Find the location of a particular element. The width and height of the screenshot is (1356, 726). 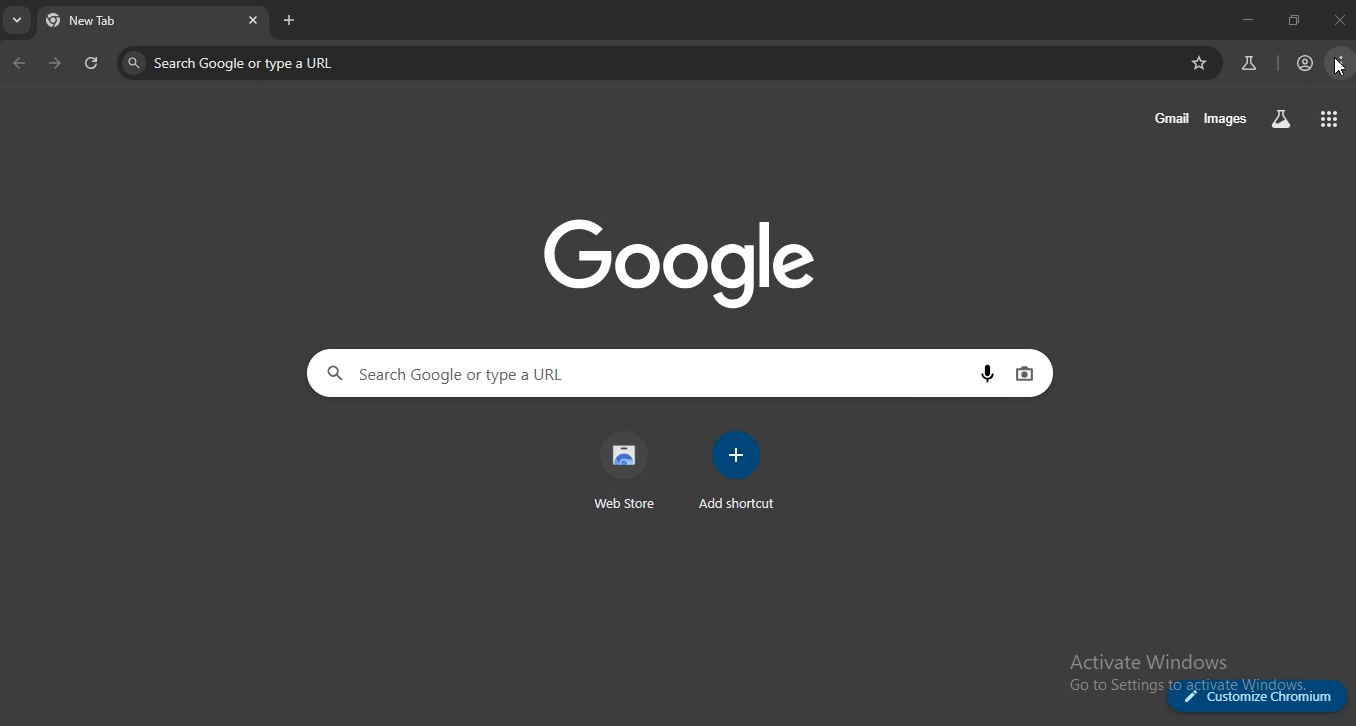

click to go back is located at coordinates (19, 64).